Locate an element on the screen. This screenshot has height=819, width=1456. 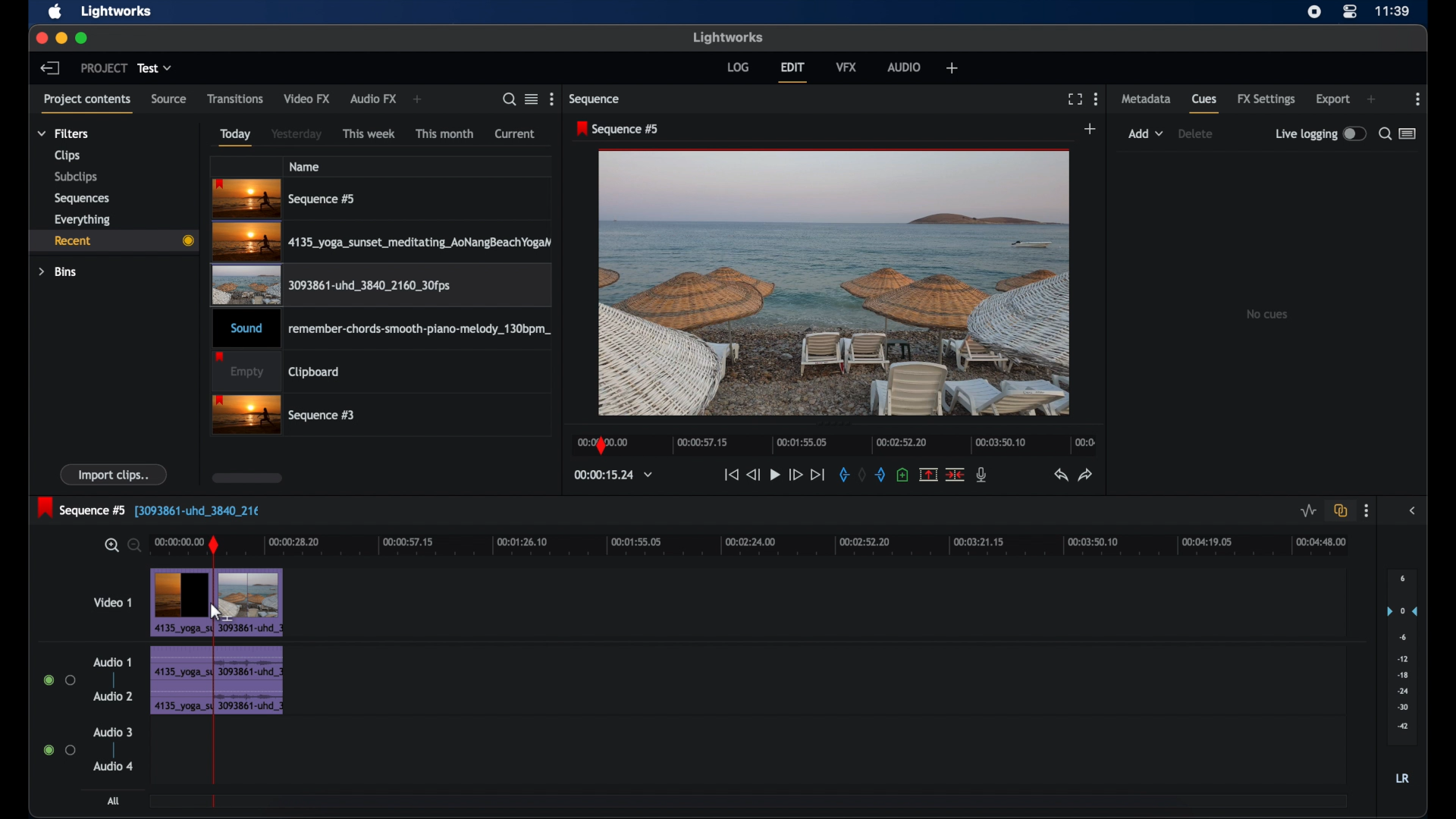
lightworks is located at coordinates (730, 38).